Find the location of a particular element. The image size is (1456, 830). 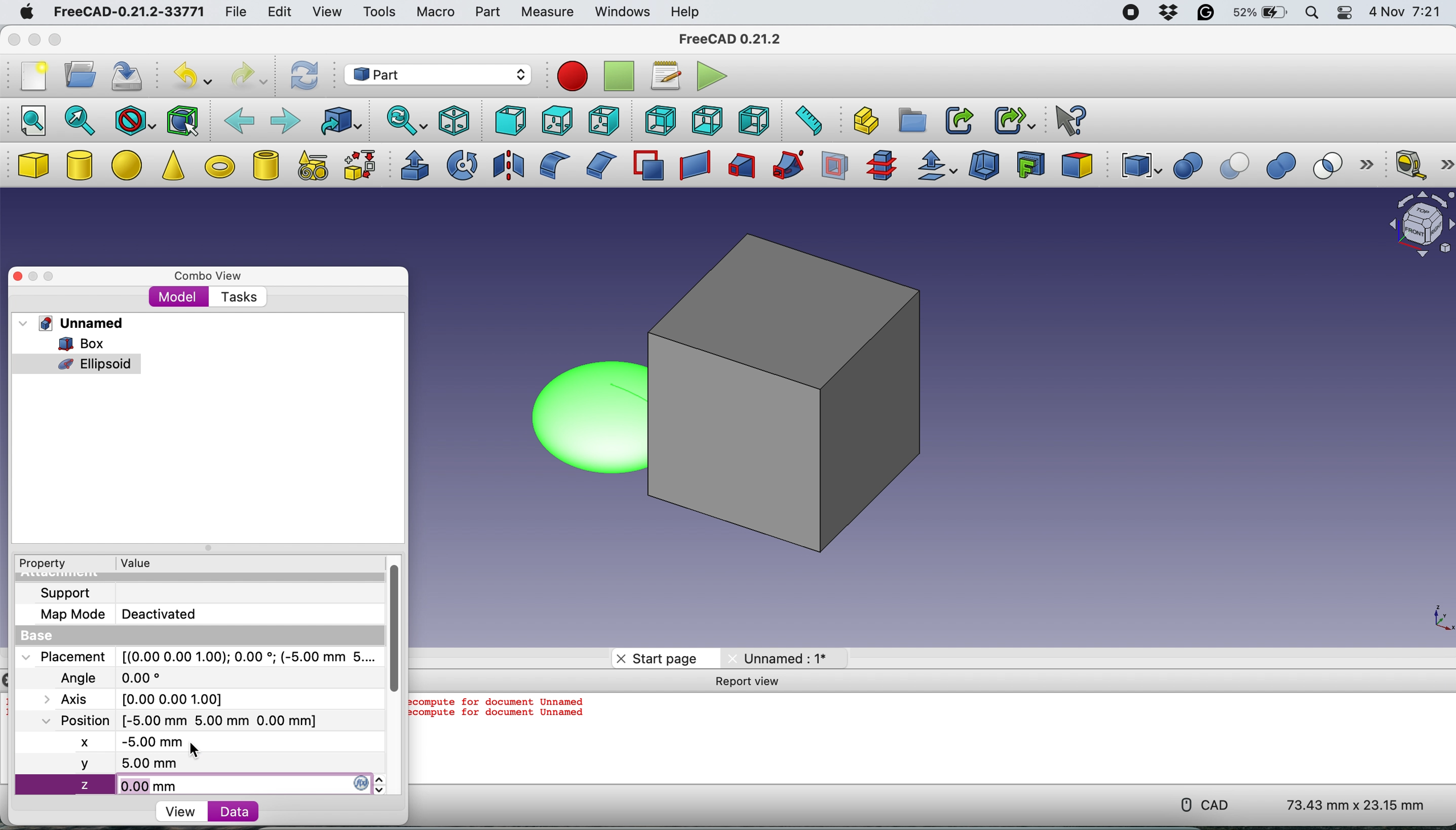

section is located at coordinates (835, 169).